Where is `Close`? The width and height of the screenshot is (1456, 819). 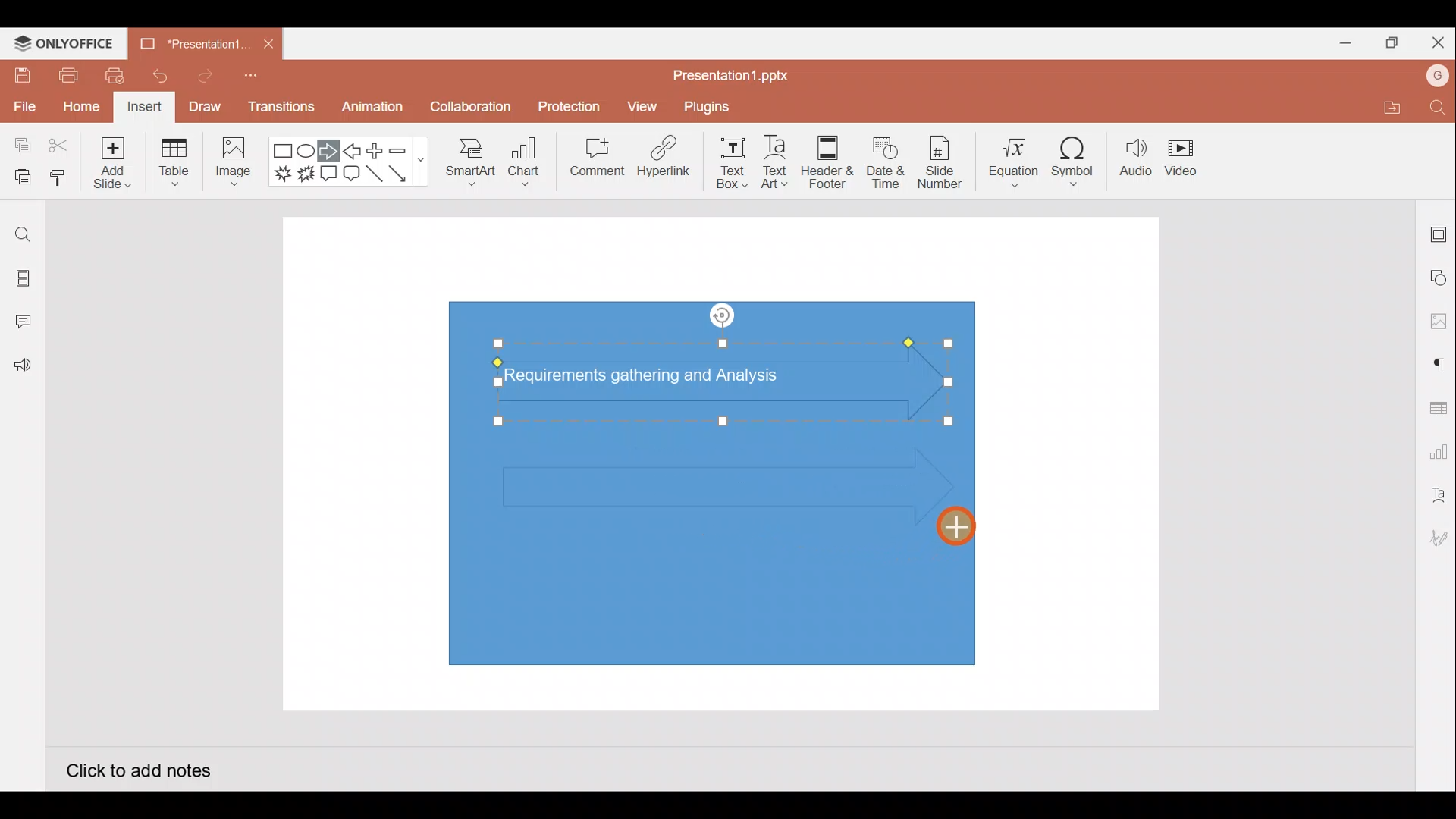 Close is located at coordinates (1435, 39).